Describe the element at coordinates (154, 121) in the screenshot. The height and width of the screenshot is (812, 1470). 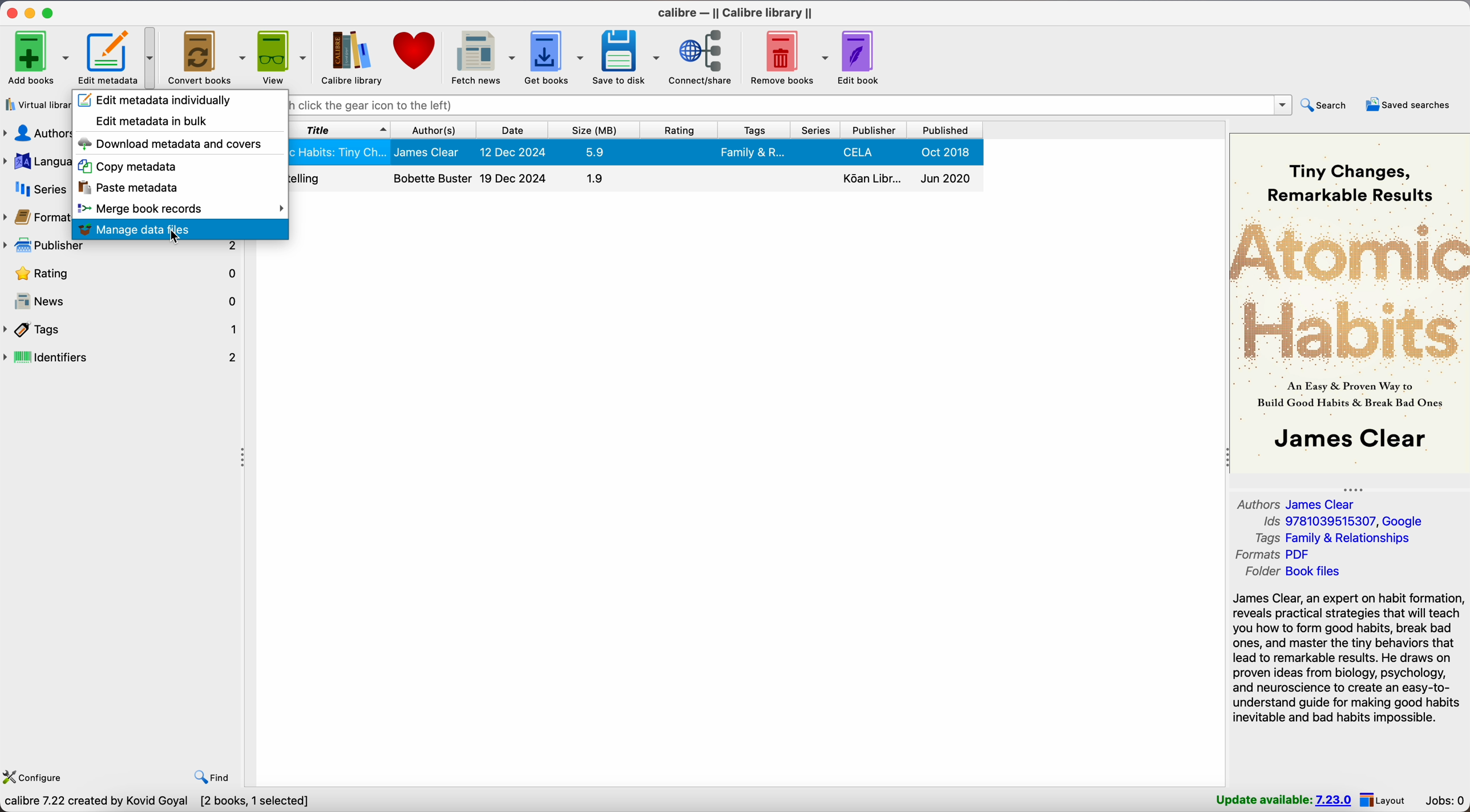
I see `edit metadata in bulk` at that location.